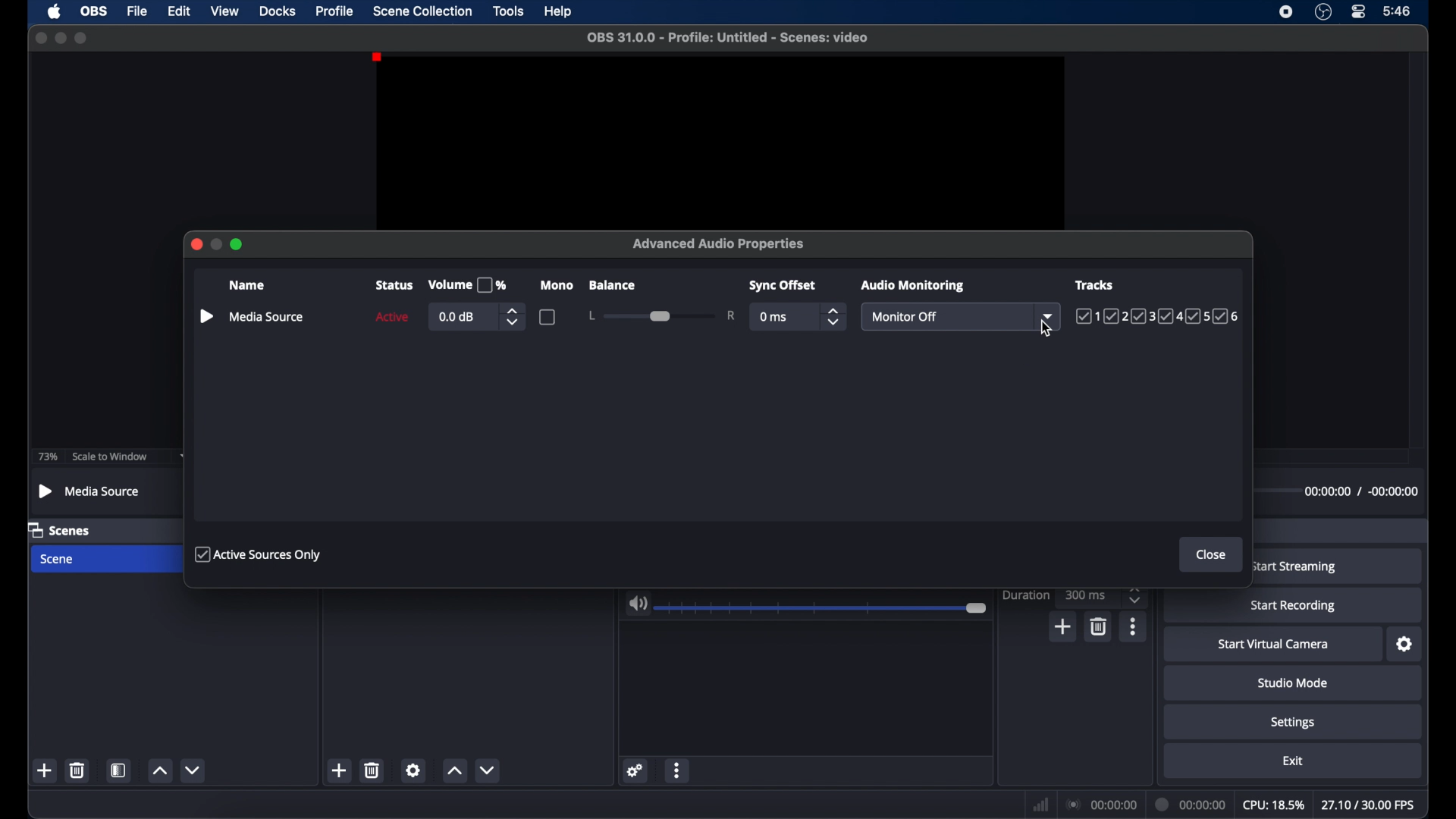 The image size is (1456, 819). What do you see at coordinates (634, 770) in the screenshot?
I see `settings` at bounding box center [634, 770].